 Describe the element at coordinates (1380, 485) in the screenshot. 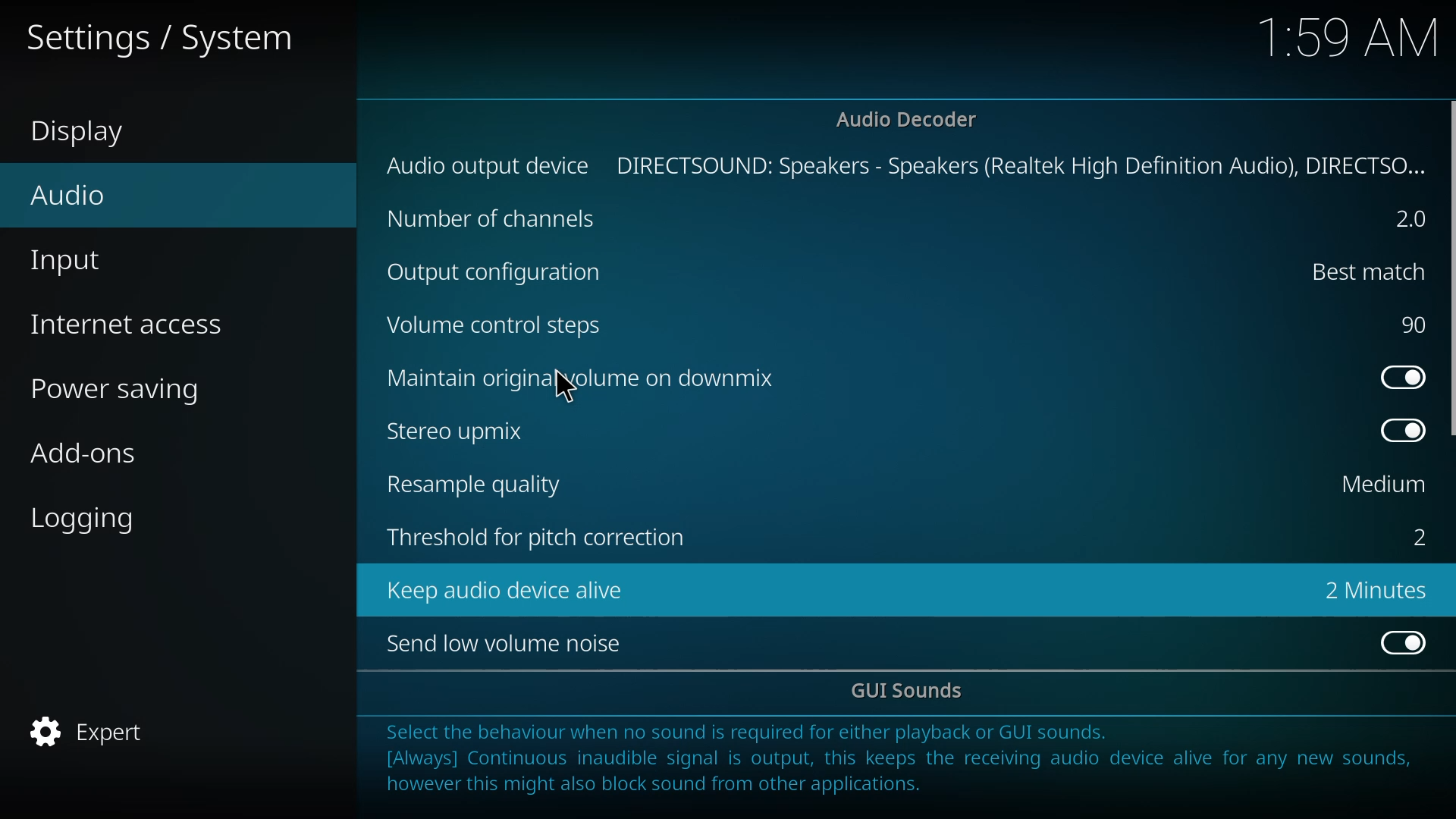

I see `medium` at that location.